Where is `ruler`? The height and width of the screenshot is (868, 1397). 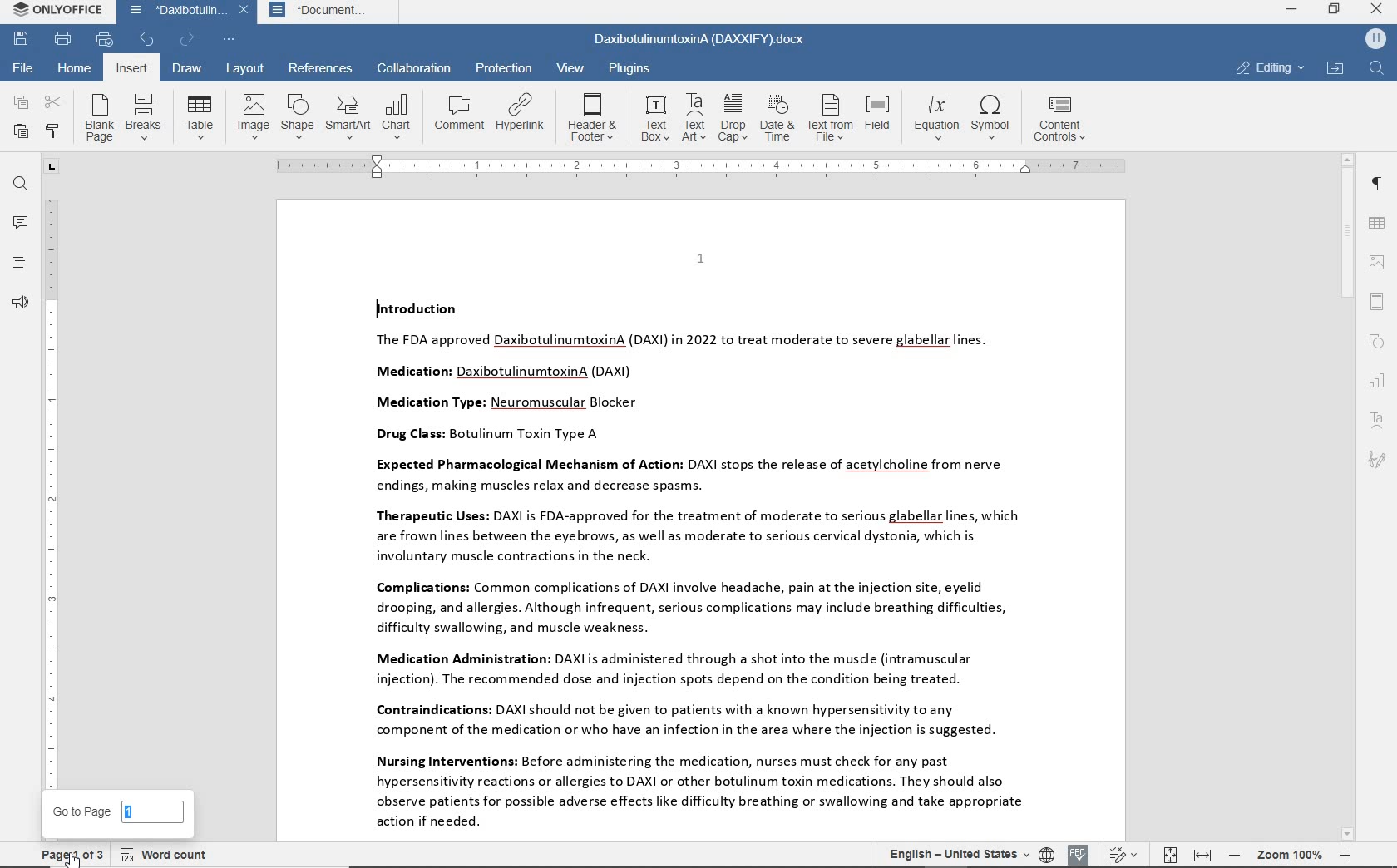 ruler is located at coordinates (51, 484).